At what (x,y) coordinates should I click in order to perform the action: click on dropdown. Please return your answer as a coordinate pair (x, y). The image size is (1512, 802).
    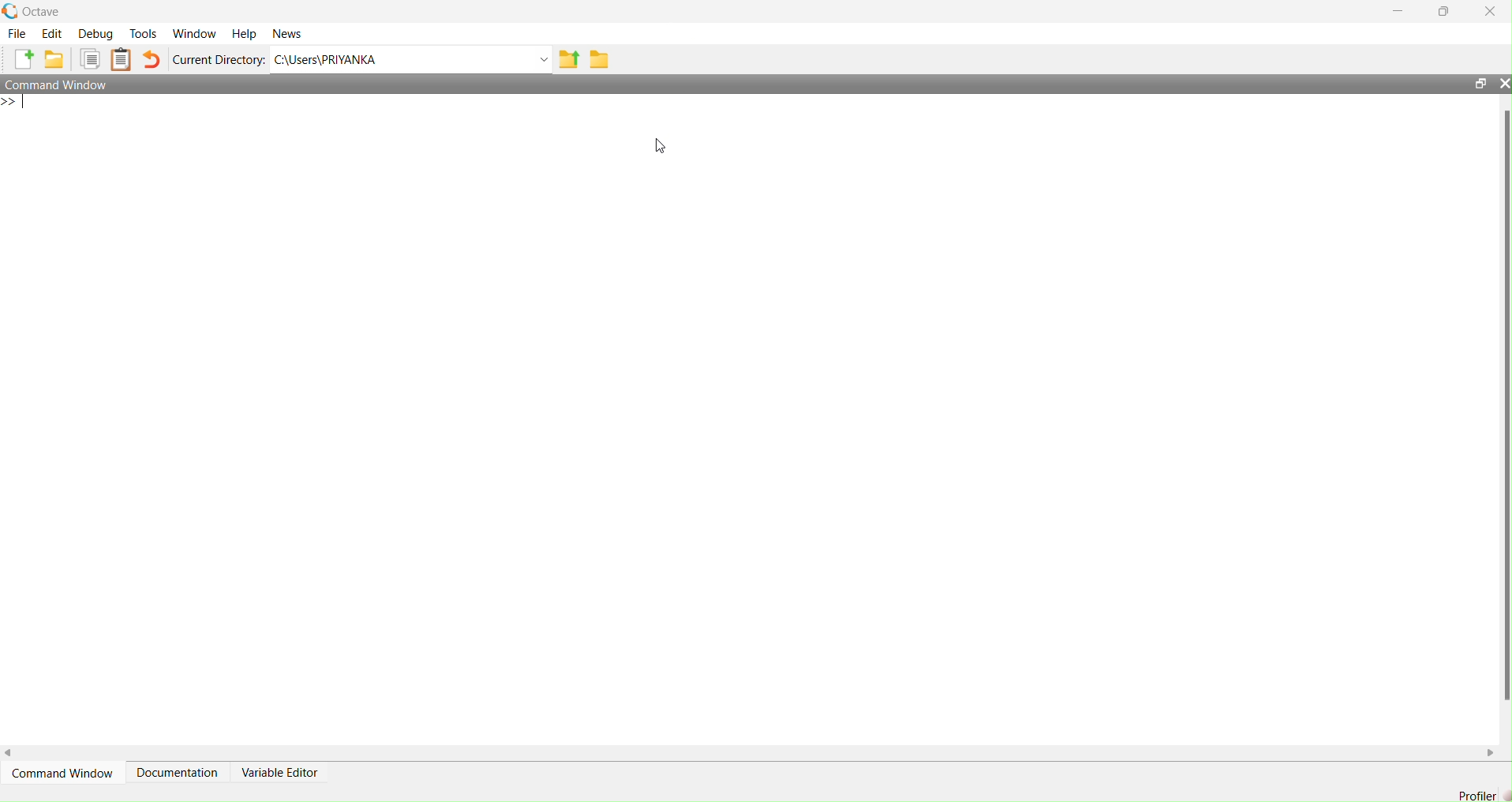
    Looking at the image, I should click on (533, 59).